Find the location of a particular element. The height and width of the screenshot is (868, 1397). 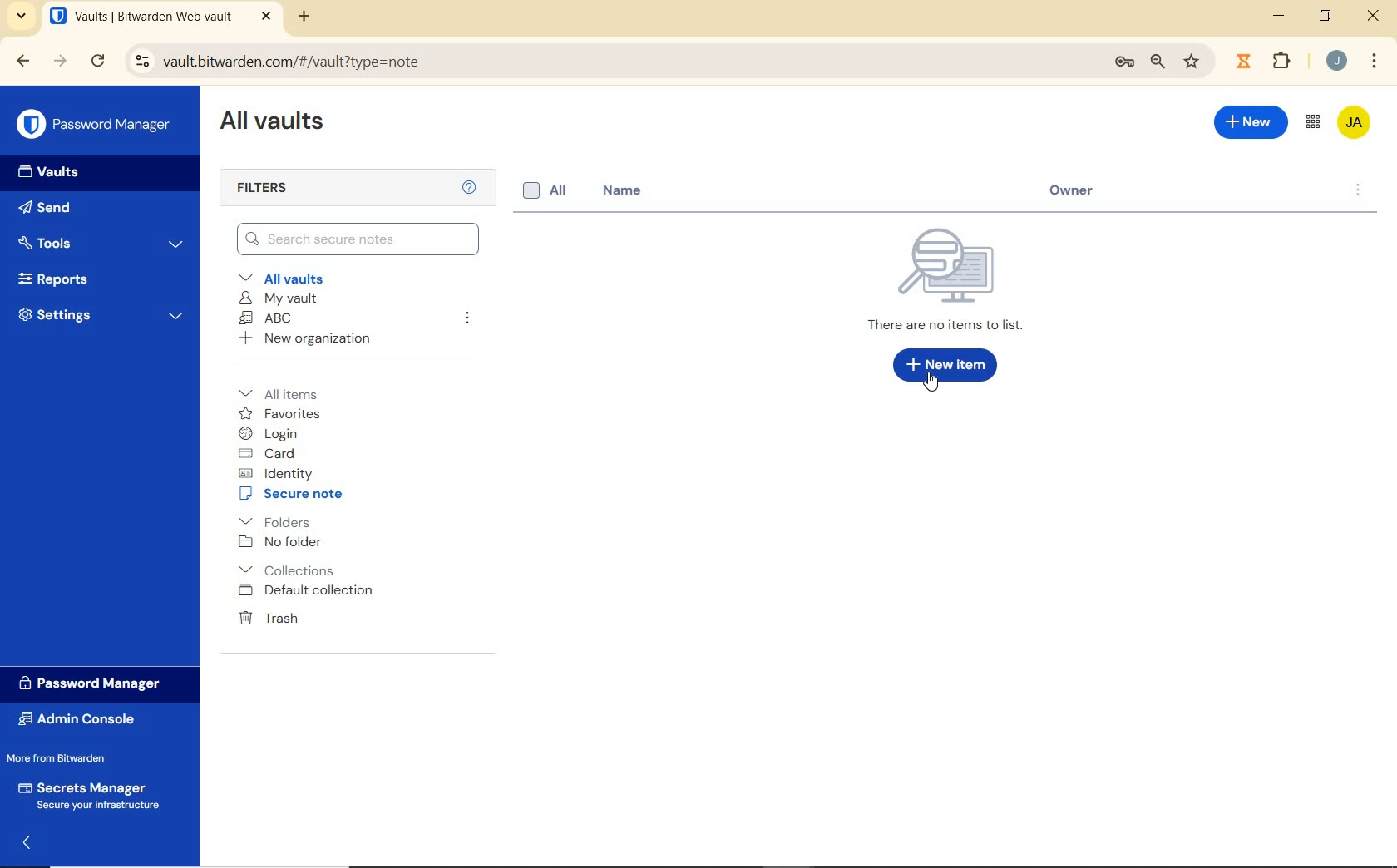

All vaults is located at coordinates (284, 277).